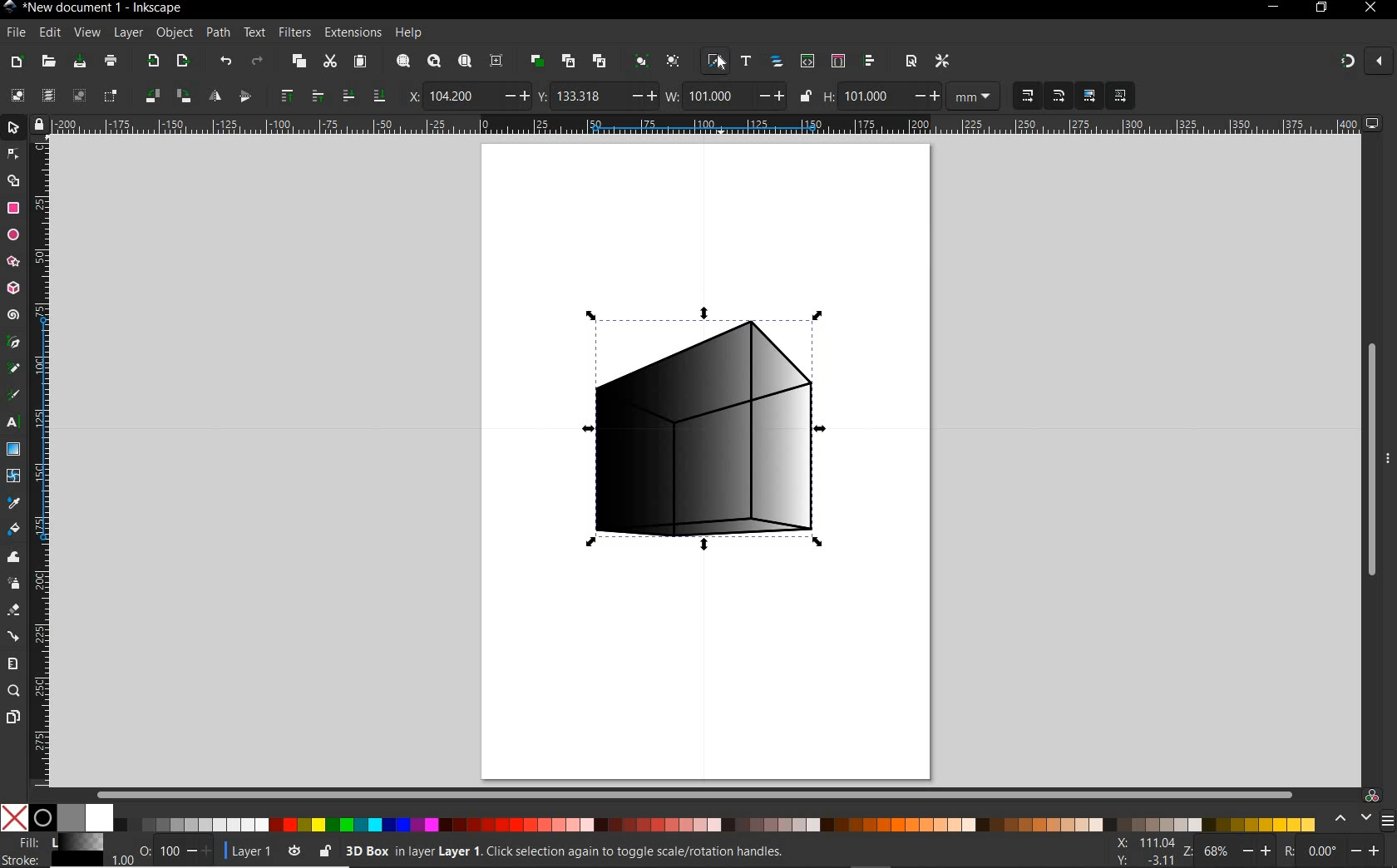 Image resolution: width=1397 pixels, height=868 pixels. I want to click on LAYER, so click(126, 32).